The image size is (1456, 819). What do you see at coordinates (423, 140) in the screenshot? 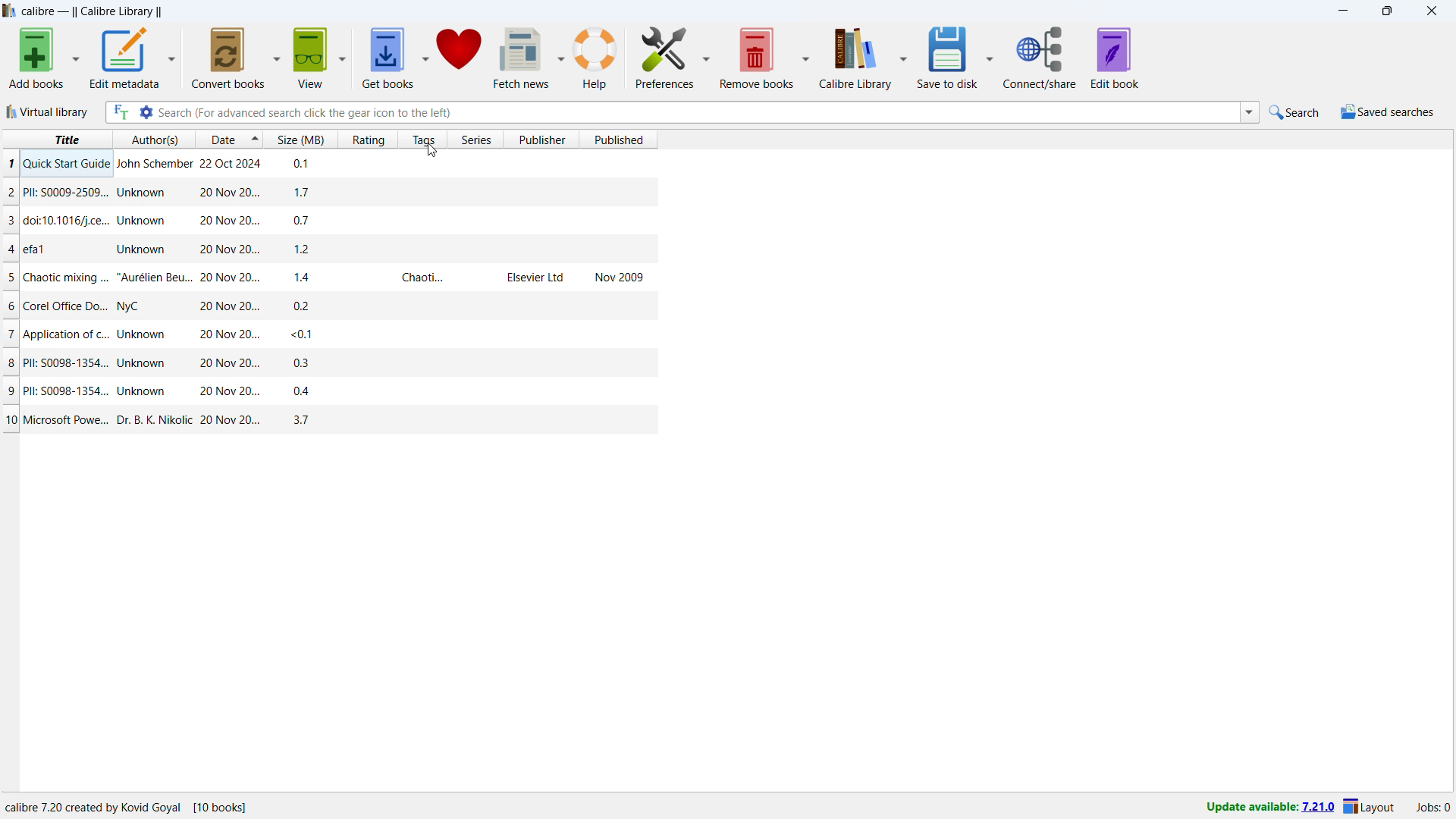
I see `sort by tags` at bounding box center [423, 140].